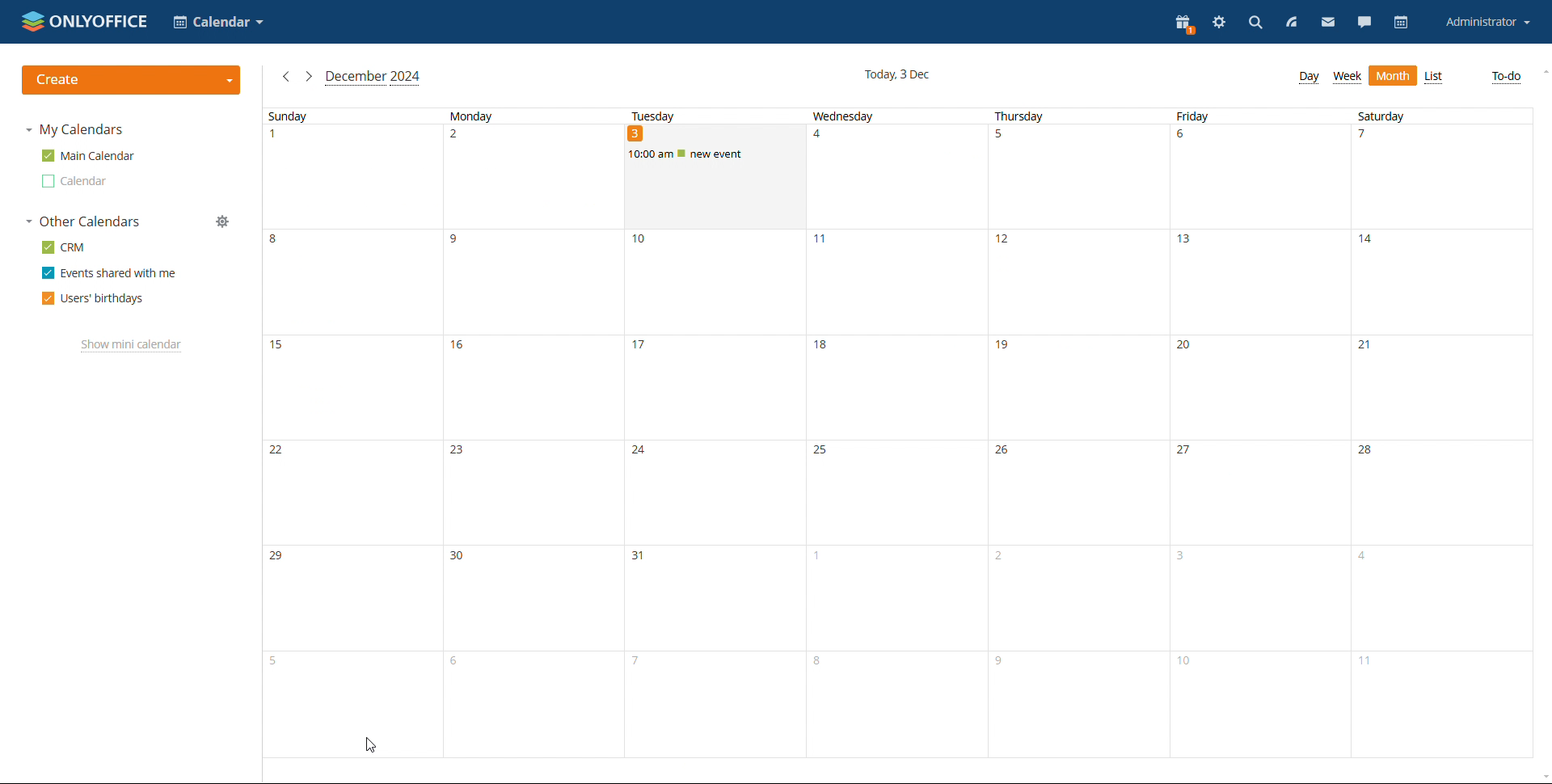 The width and height of the screenshot is (1552, 784). I want to click on 1, so click(892, 598).